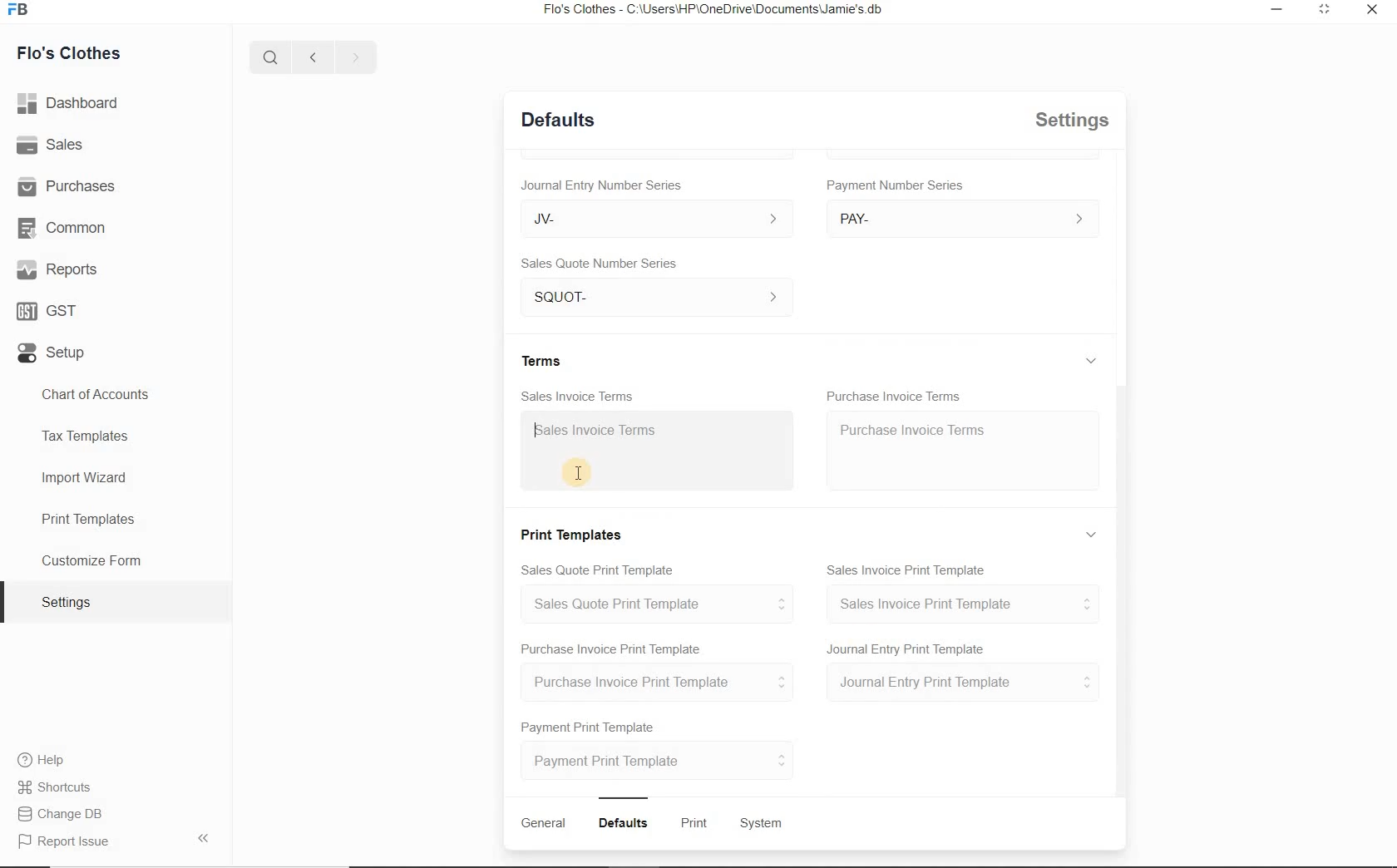 This screenshot has height=868, width=1397. I want to click on Report Issue, so click(115, 839).